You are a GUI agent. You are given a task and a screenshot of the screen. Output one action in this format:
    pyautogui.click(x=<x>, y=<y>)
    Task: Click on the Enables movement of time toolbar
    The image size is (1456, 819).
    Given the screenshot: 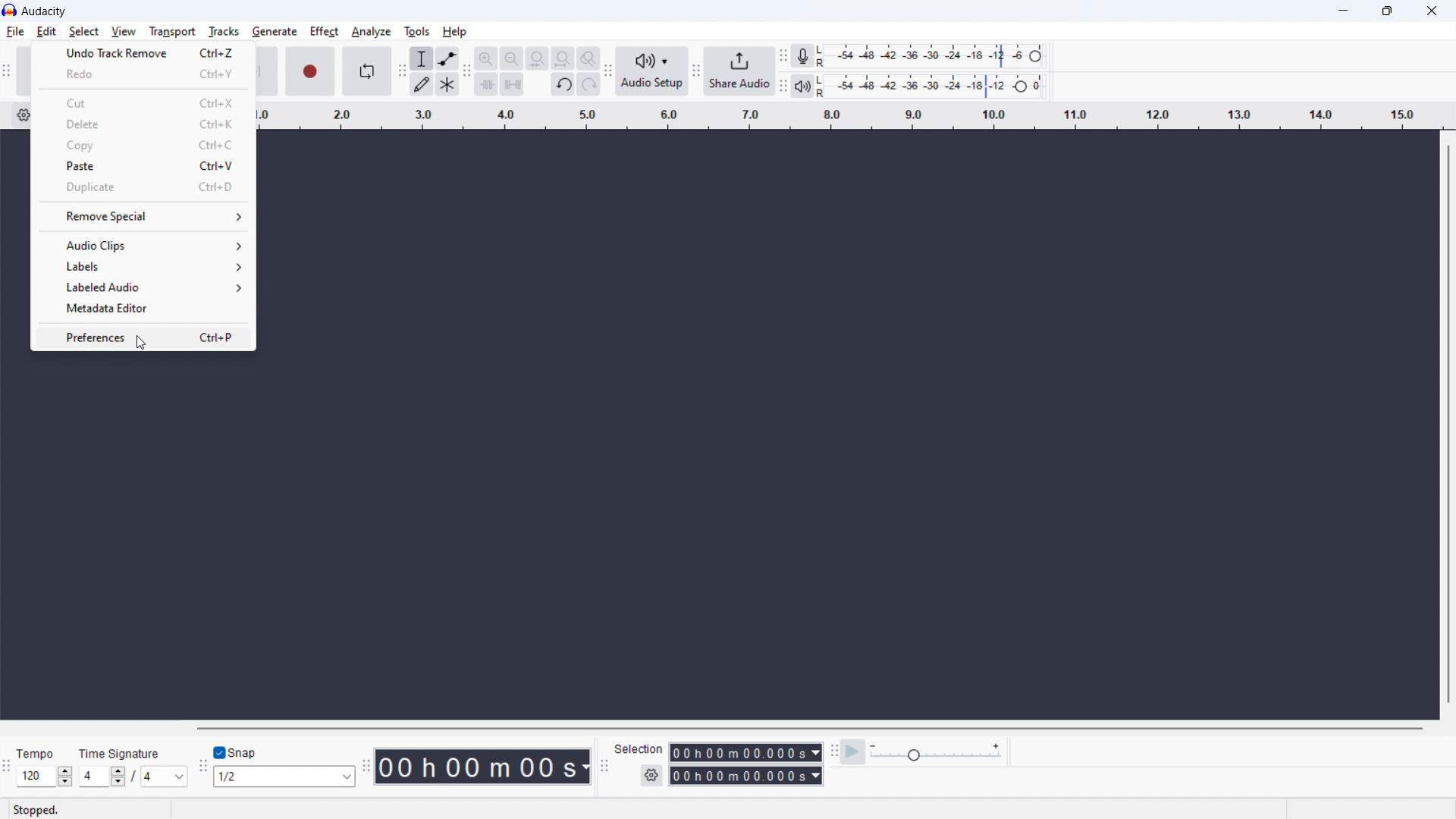 What is the action you would take?
    pyautogui.click(x=367, y=767)
    